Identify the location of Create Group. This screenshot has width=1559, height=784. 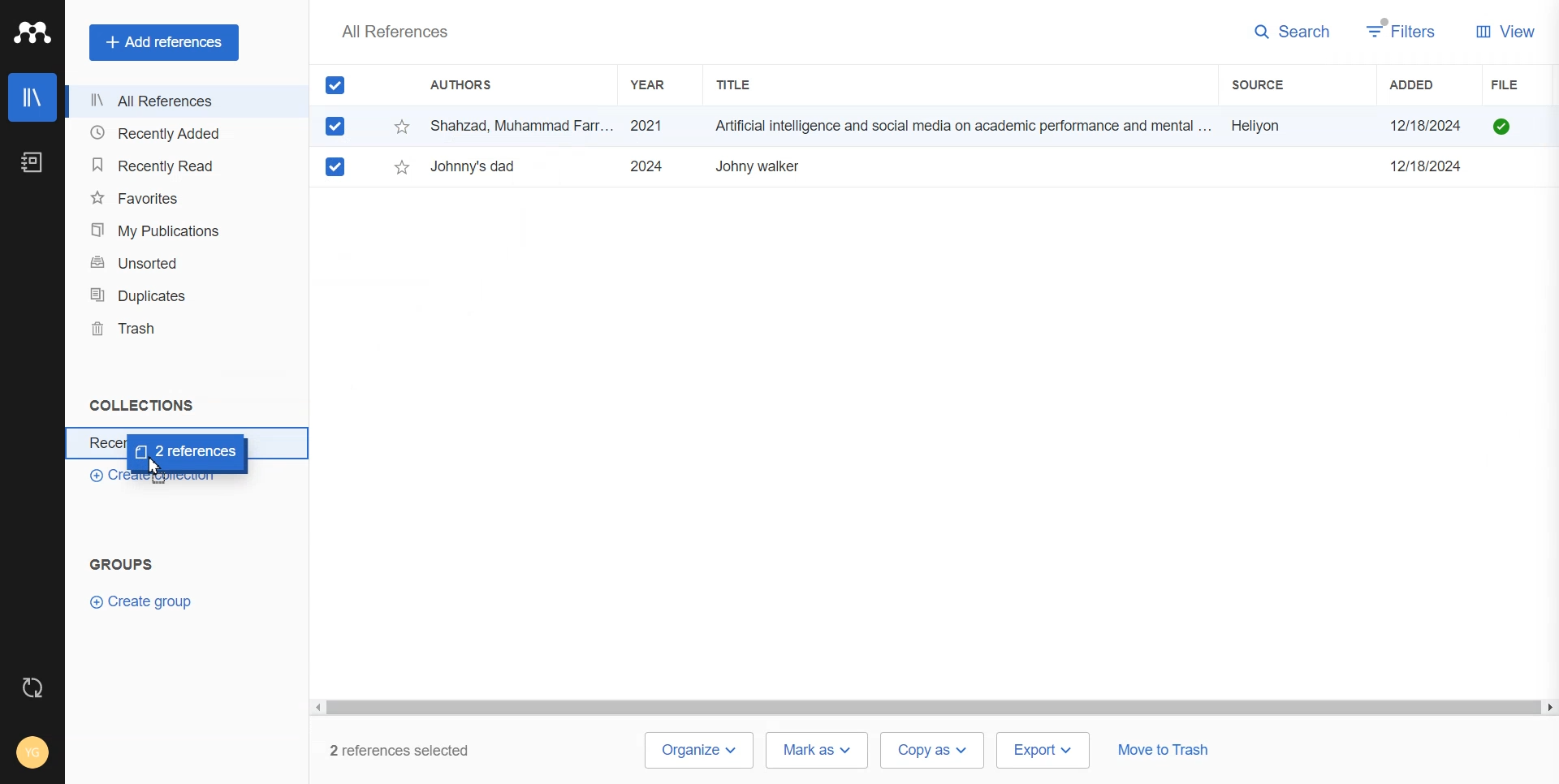
(149, 601).